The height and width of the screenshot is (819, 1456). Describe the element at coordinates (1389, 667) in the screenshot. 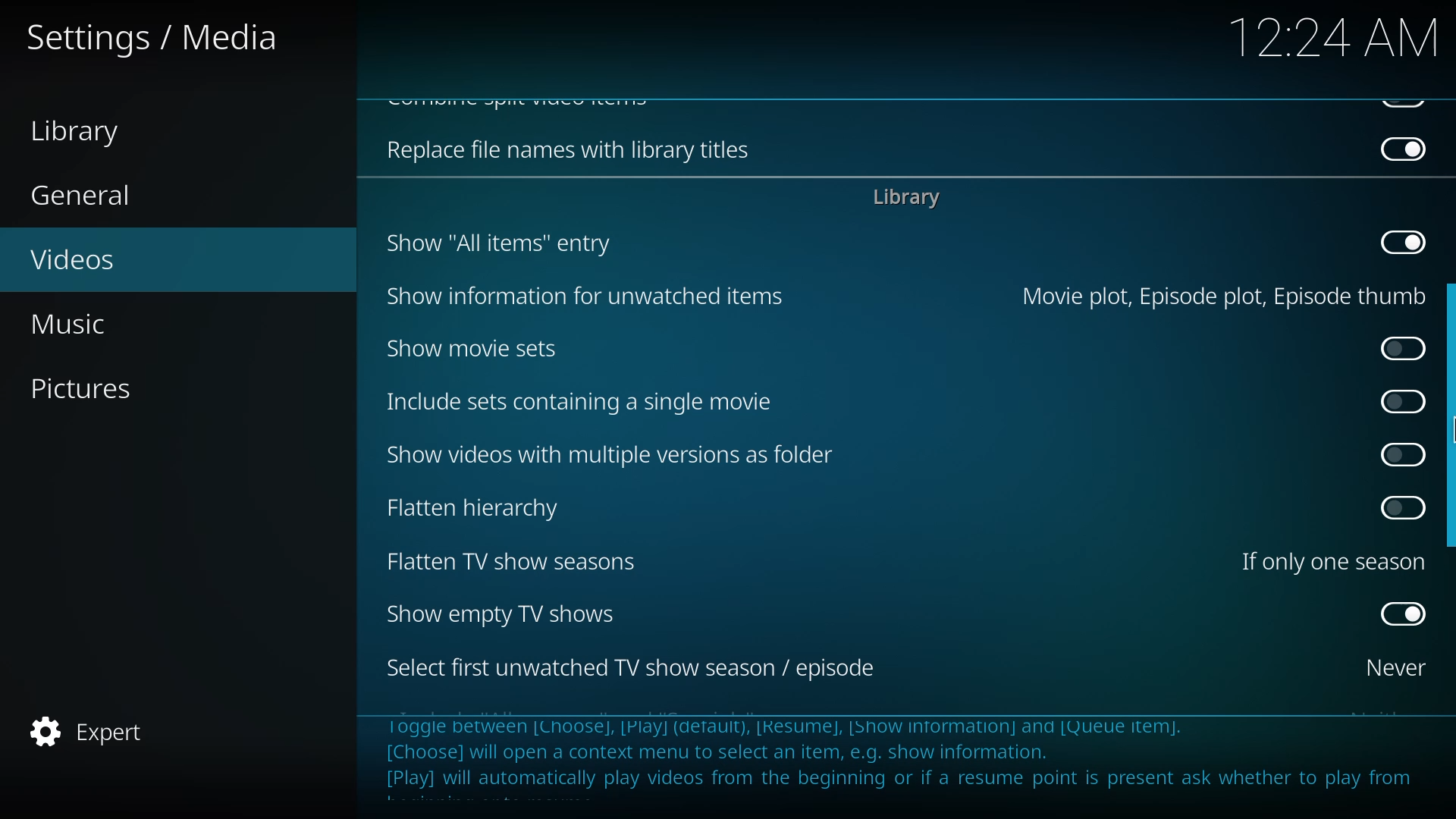

I see `never` at that location.